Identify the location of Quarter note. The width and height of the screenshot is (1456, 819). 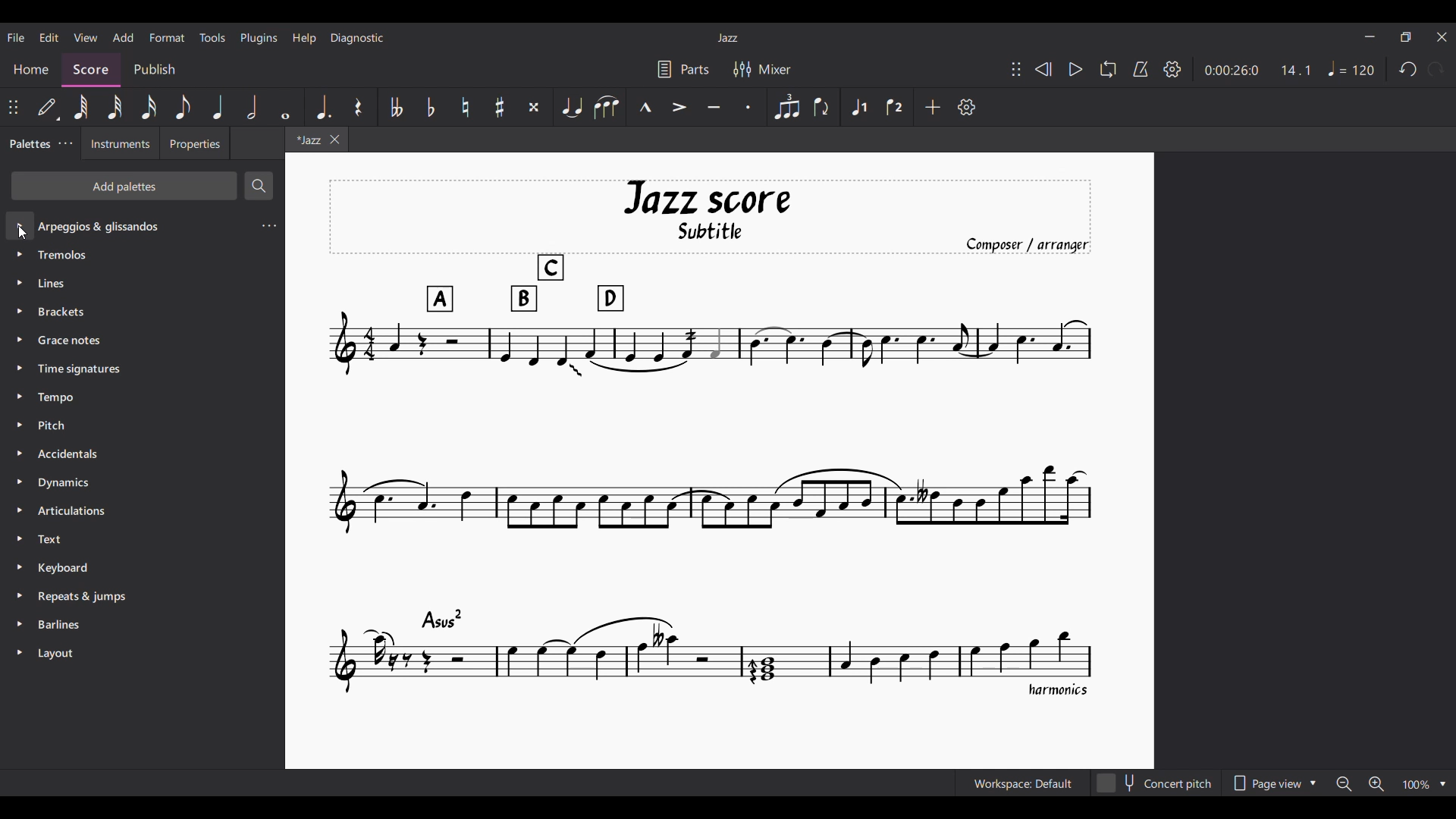
(217, 107).